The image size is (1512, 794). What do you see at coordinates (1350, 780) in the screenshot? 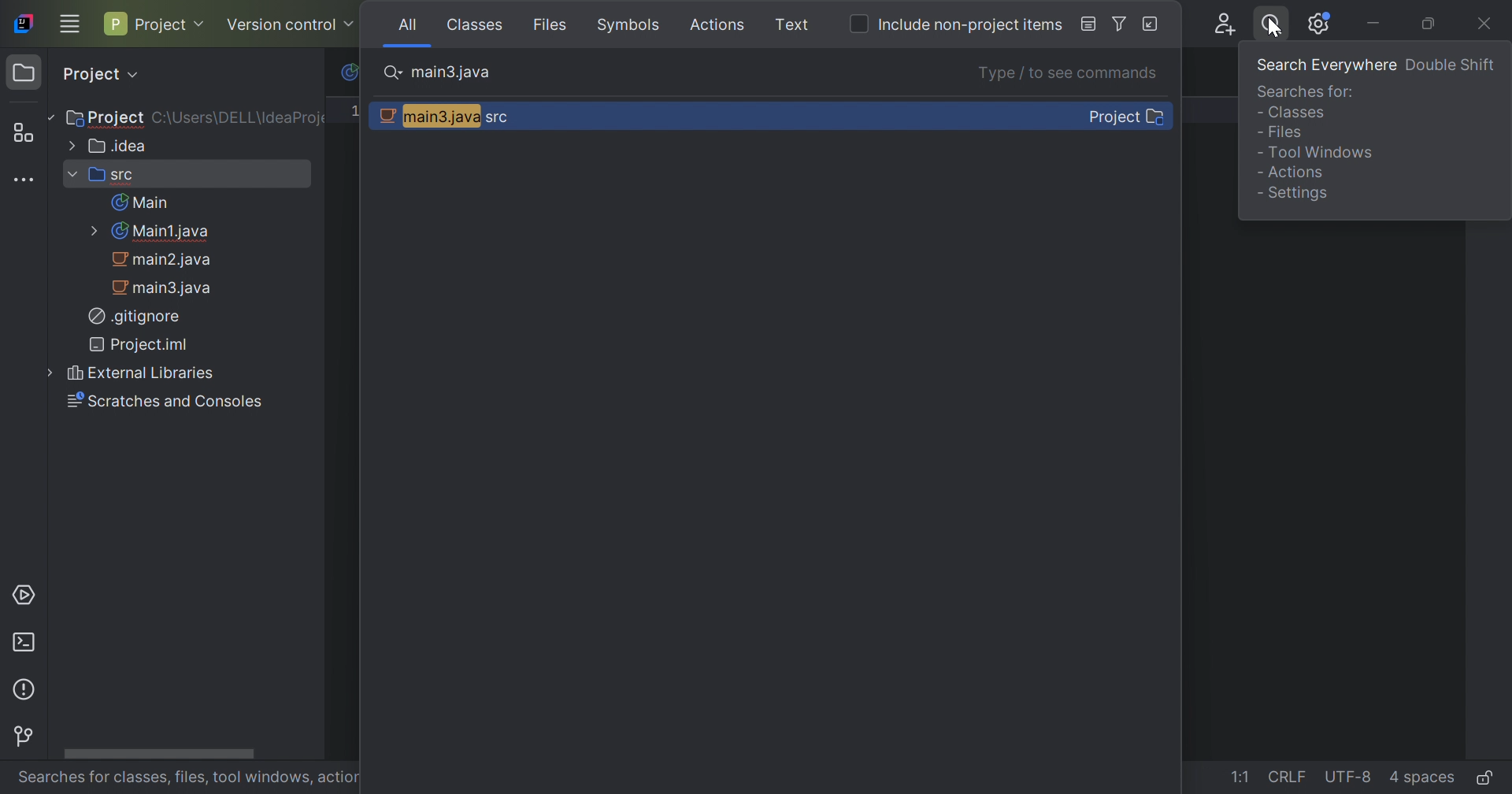
I see `UTF-8` at bounding box center [1350, 780].